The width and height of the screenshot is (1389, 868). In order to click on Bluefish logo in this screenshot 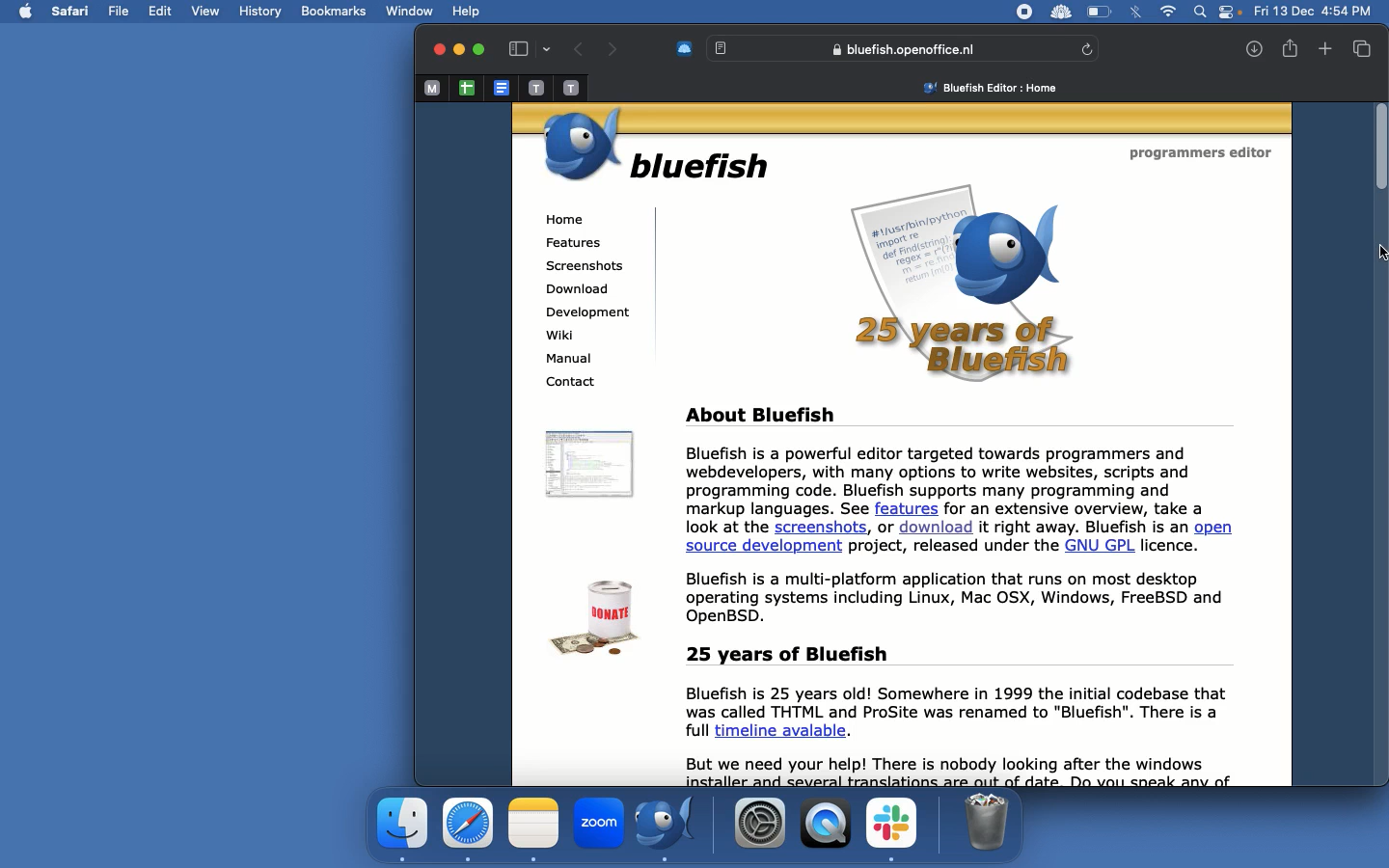, I will do `click(655, 148)`.